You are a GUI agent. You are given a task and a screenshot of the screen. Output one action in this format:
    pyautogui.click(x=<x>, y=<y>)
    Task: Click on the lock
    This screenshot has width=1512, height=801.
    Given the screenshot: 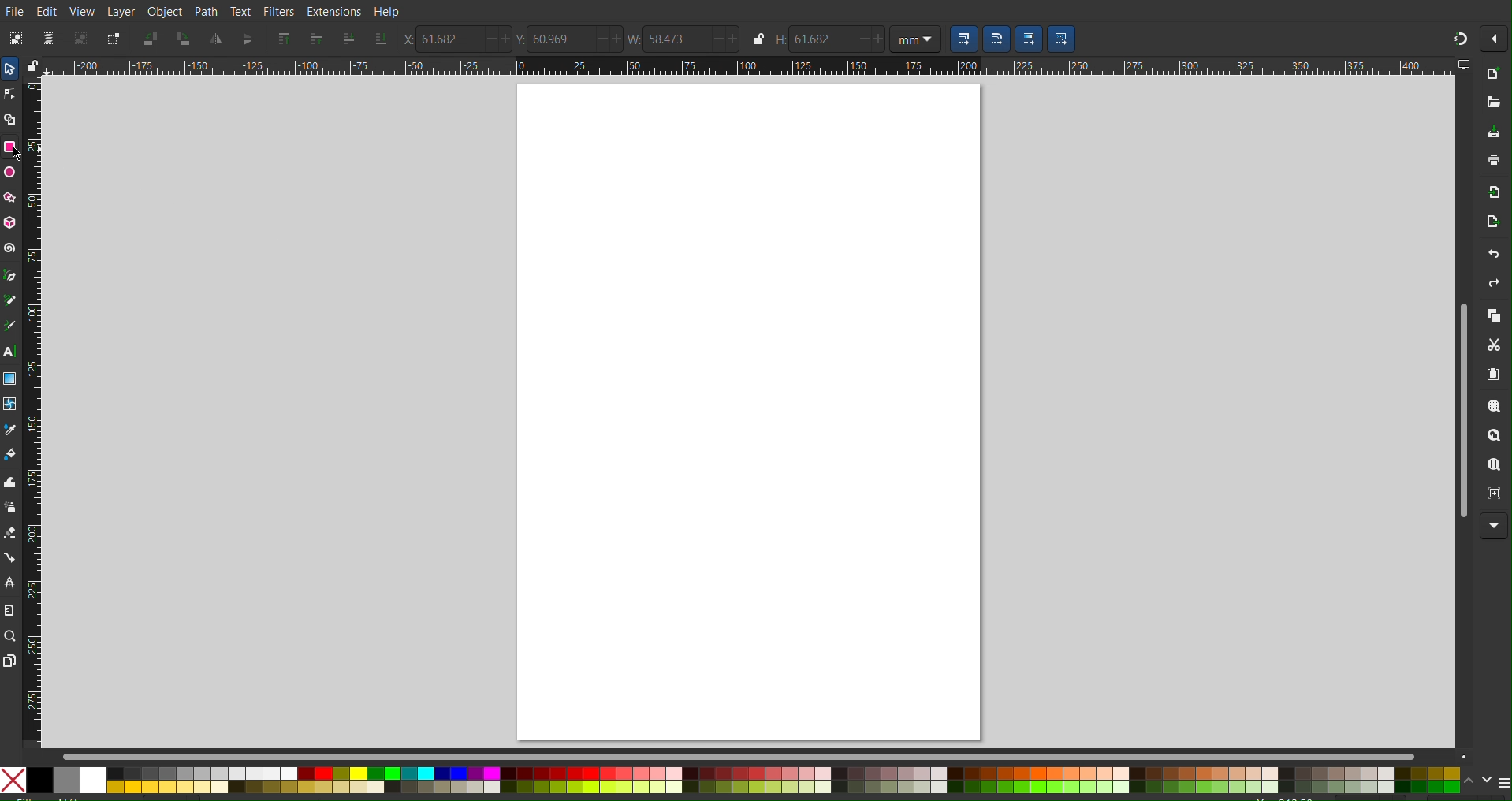 What is the action you would take?
    pyautogui.click(x=31, y=63)
    